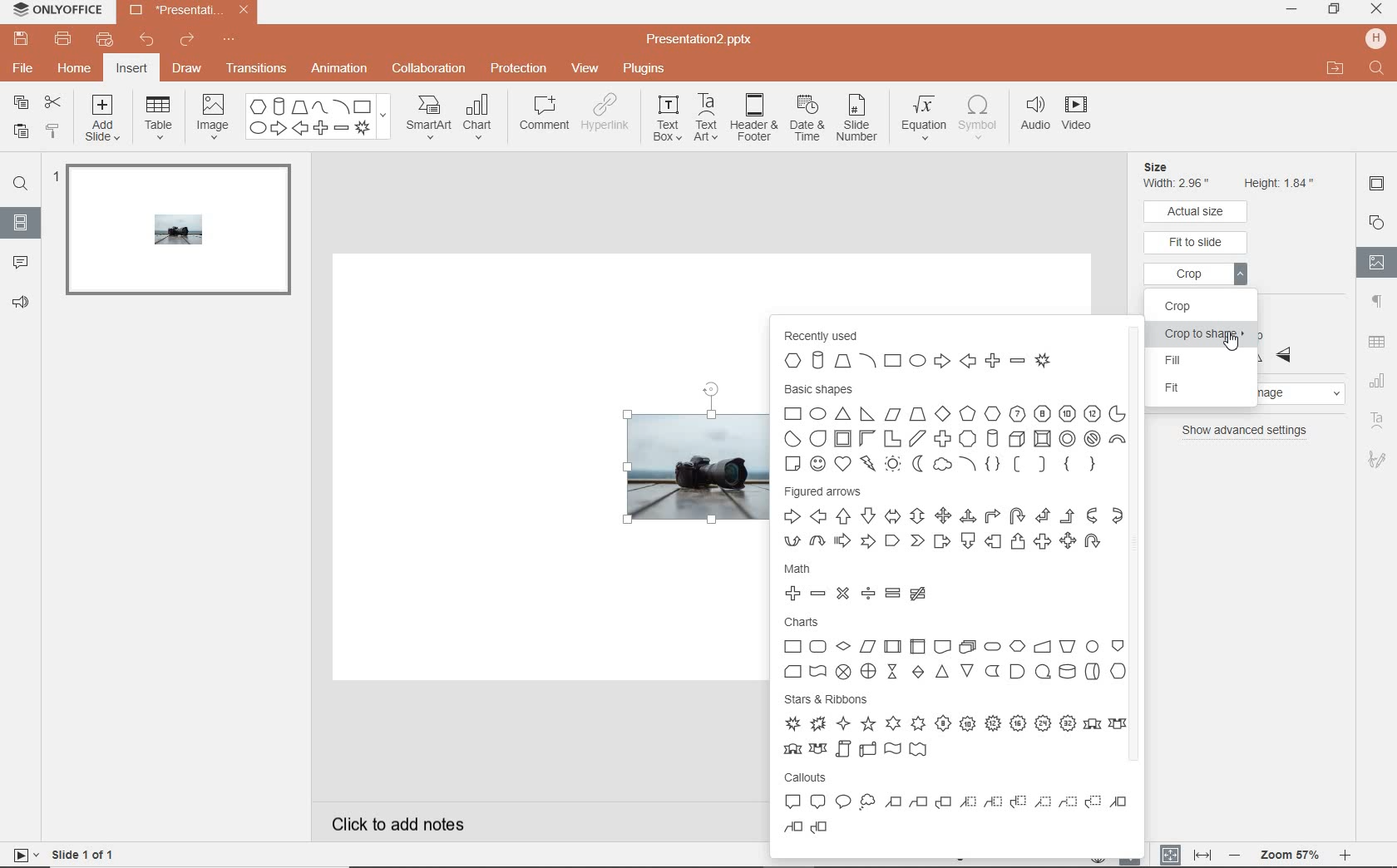 The image size is (1397, 868). Describe the element at coordinates (1289, 853) in the screenshot. I see `zoom` at that location.